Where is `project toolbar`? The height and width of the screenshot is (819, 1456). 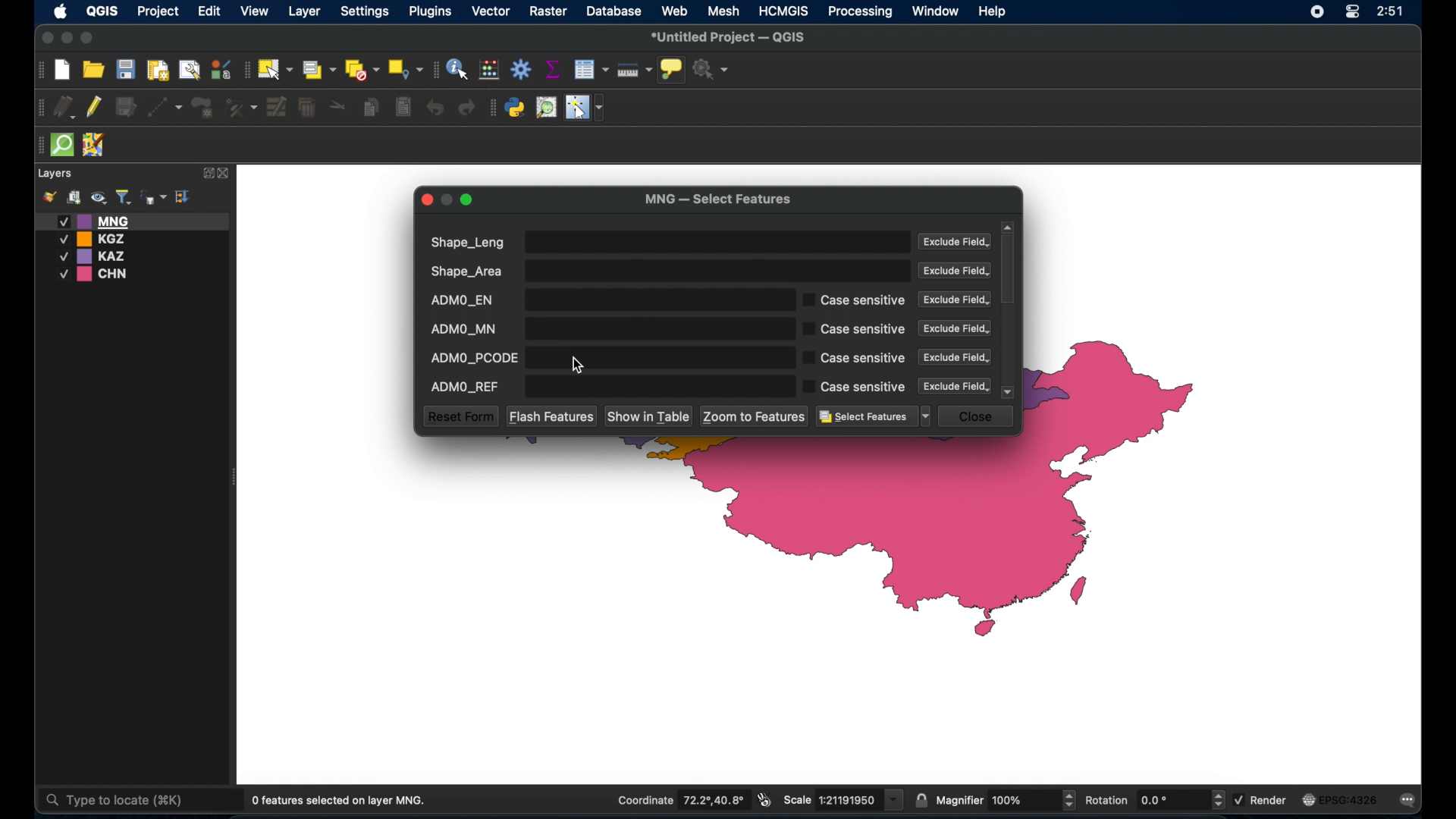
project toolbar is located at coordinates (38, 71).